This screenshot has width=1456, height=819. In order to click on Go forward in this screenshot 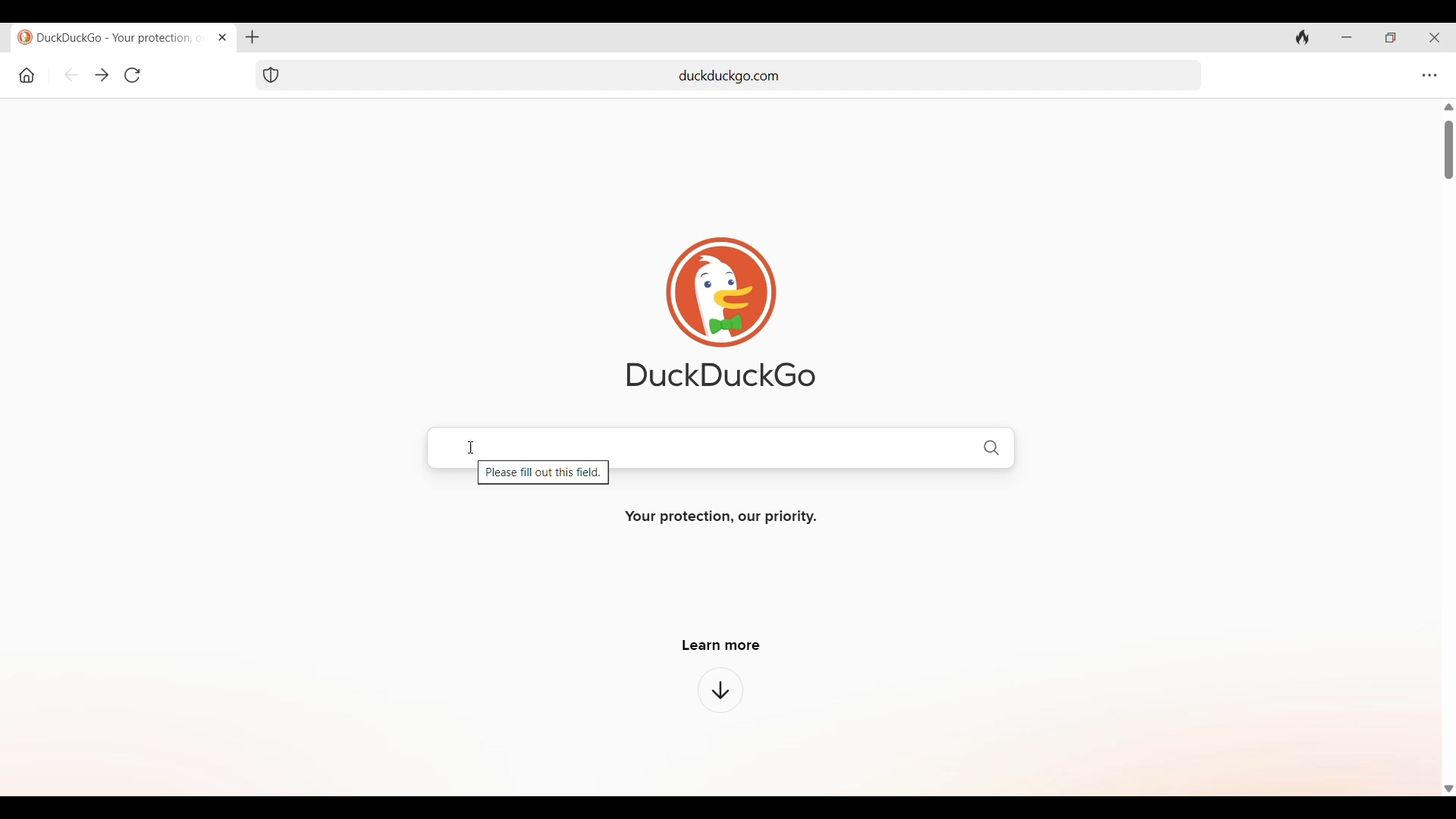, I will do `click(102, 76)`.